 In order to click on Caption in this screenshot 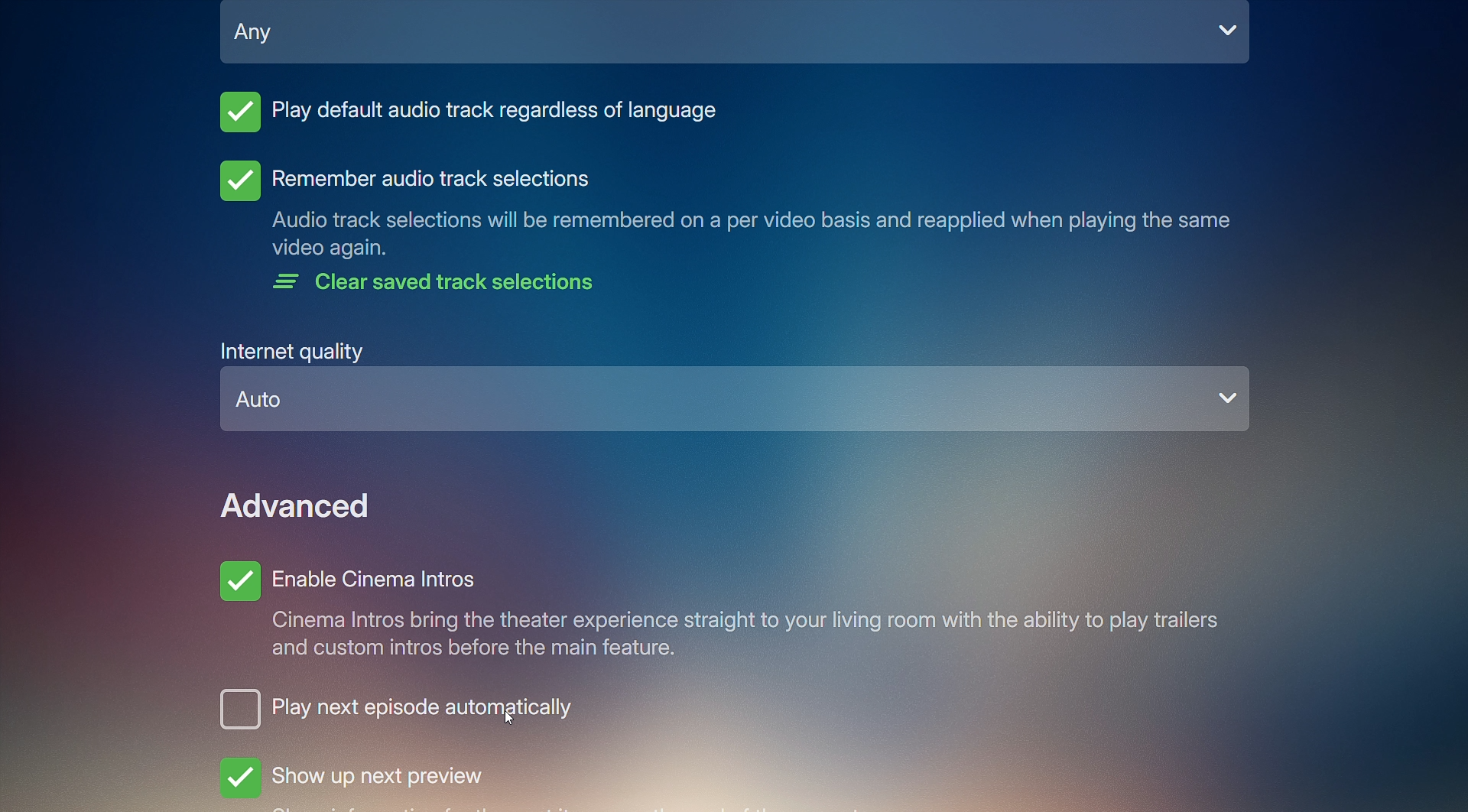, I will do `click(749, 235)`.